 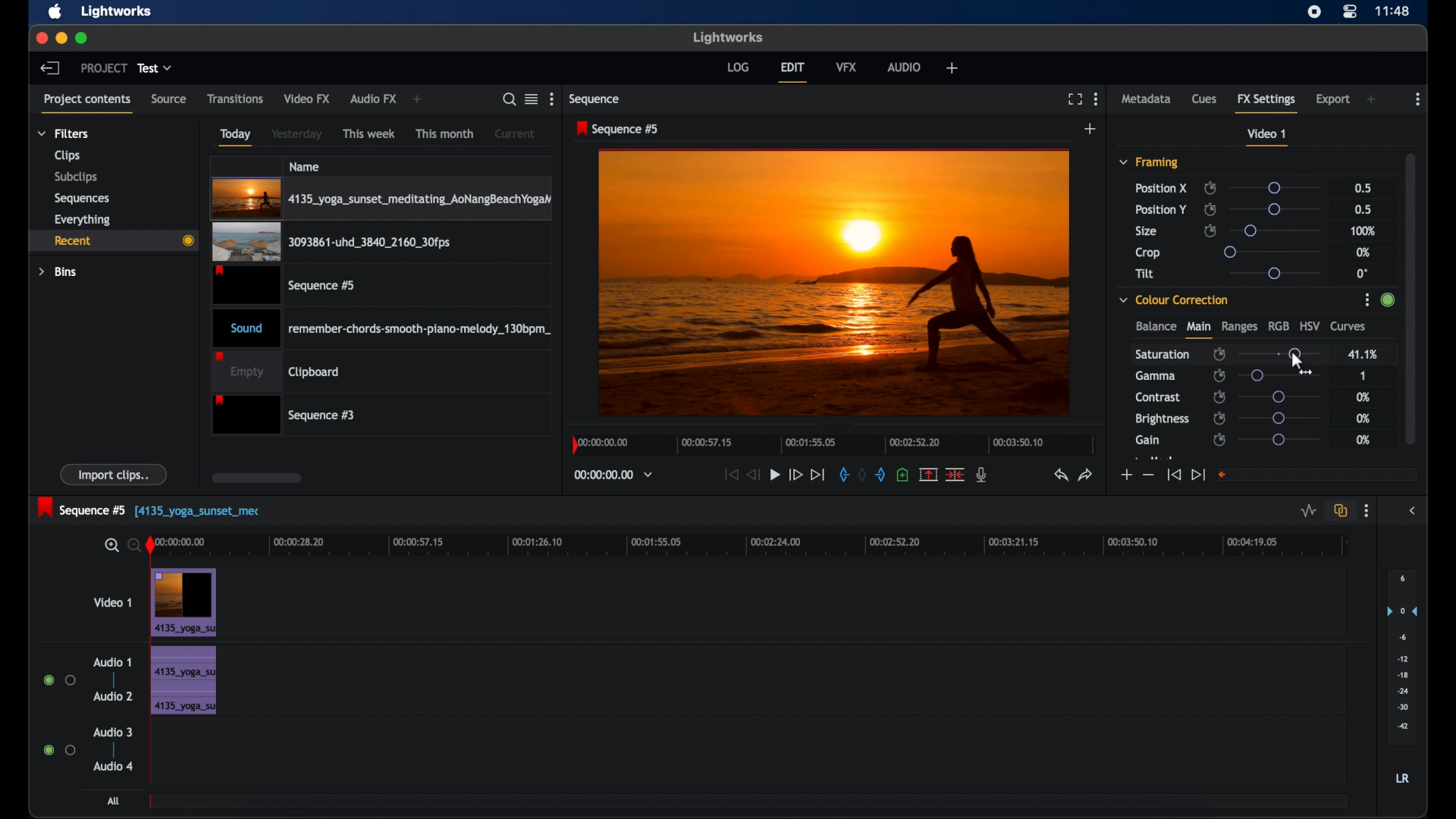 What do you see at coordinates (1155, 327) in the screenshot?
I see `balance` at bounding box center [1155, 327].